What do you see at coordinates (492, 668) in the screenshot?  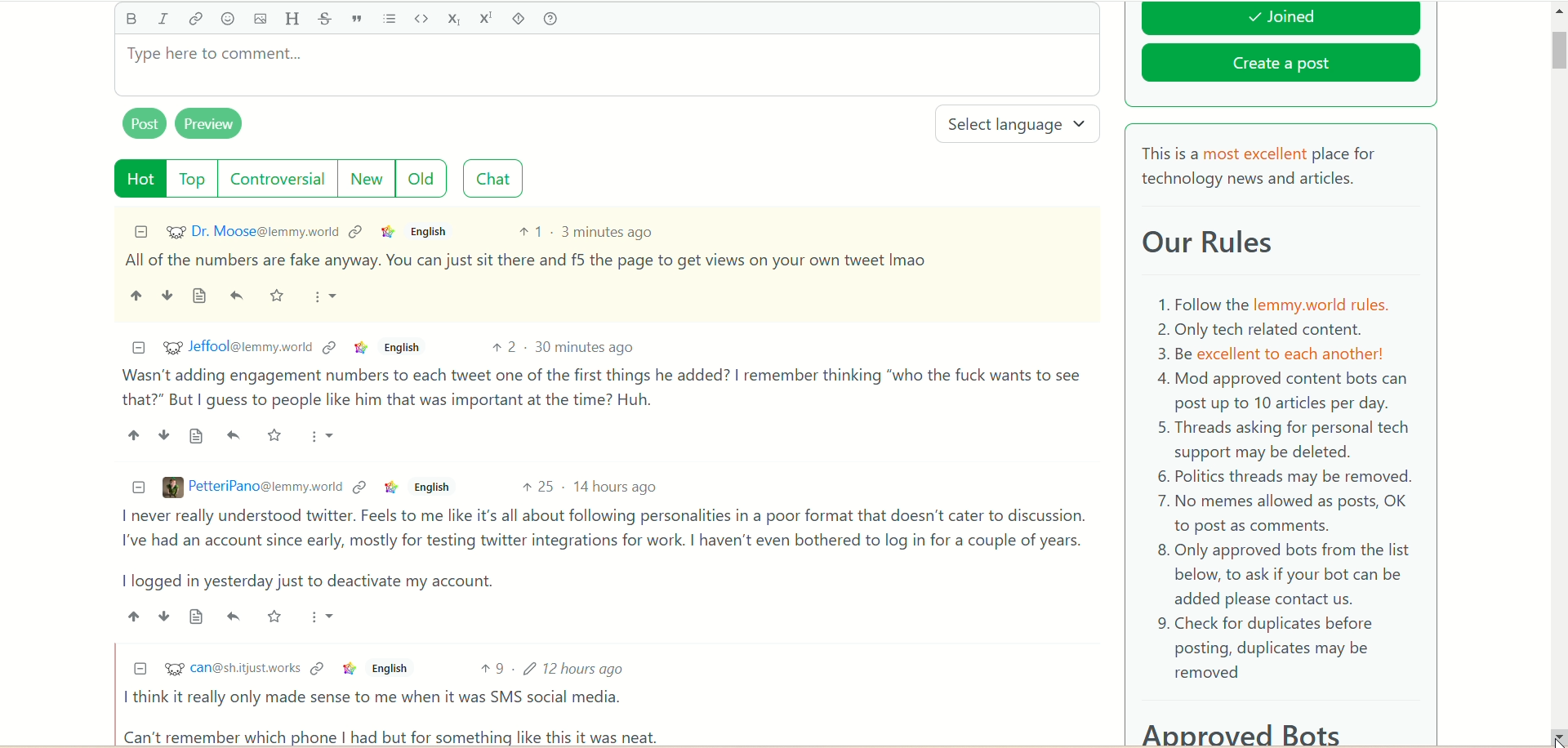 I see `Upvote 9` at bounding box center [492, 668].